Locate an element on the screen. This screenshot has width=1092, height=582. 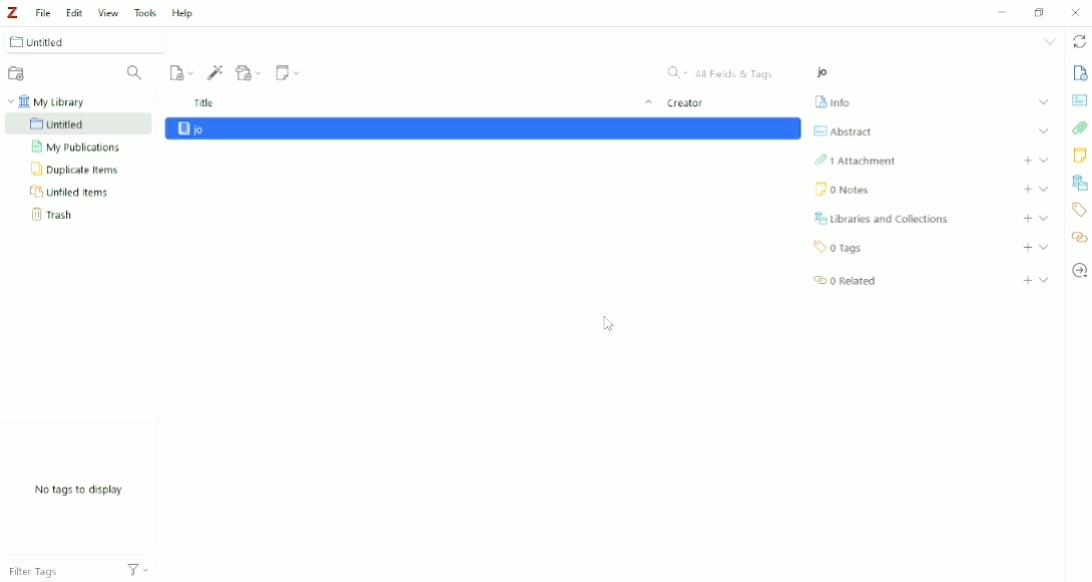
Expand Section is located at coordinates (1045, 160).